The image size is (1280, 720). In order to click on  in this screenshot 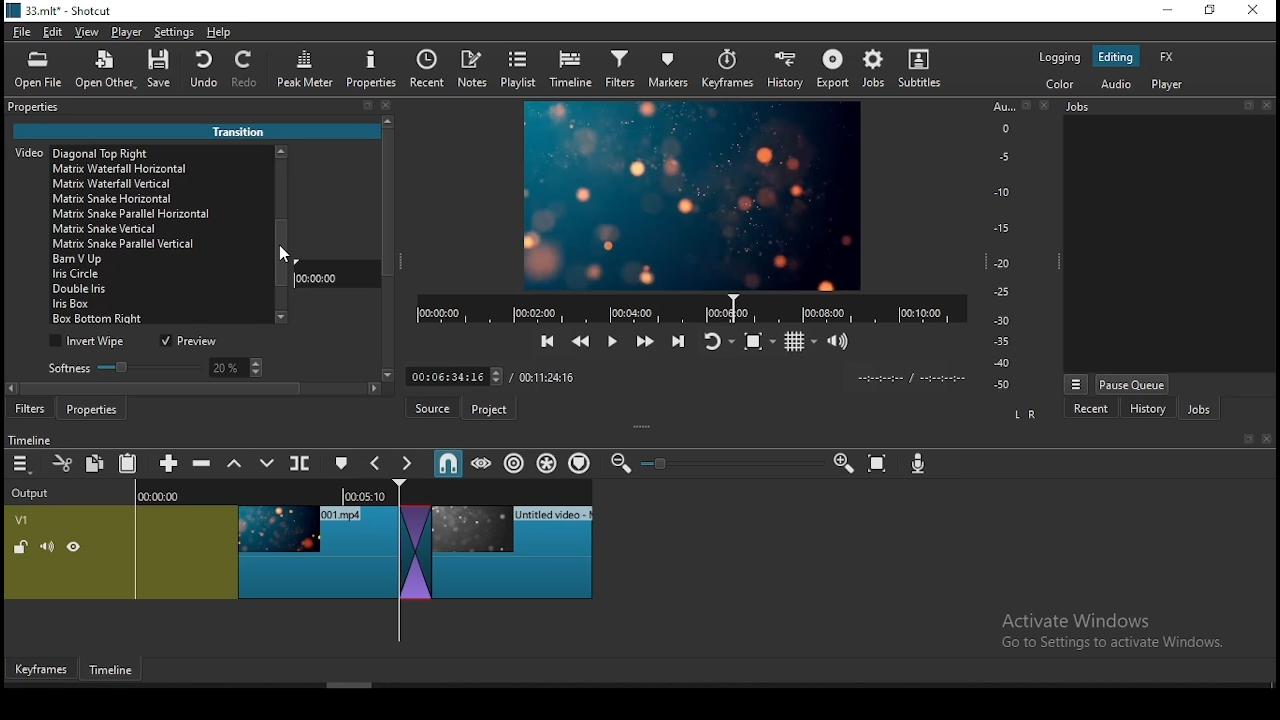, I will do `click(680, 375)`.